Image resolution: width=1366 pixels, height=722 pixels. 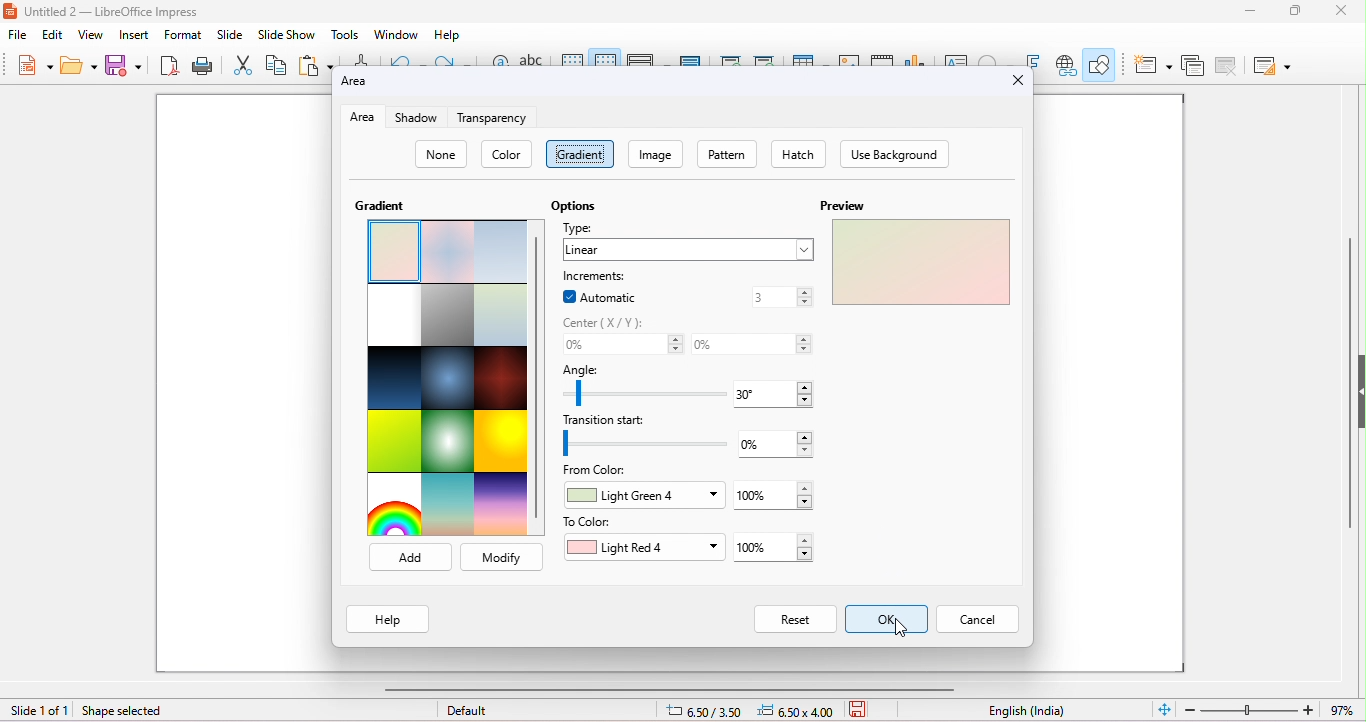 What do you see at coordinates (583, 228) in the screenshot?
I see `type` at bounding box center [583, 228].